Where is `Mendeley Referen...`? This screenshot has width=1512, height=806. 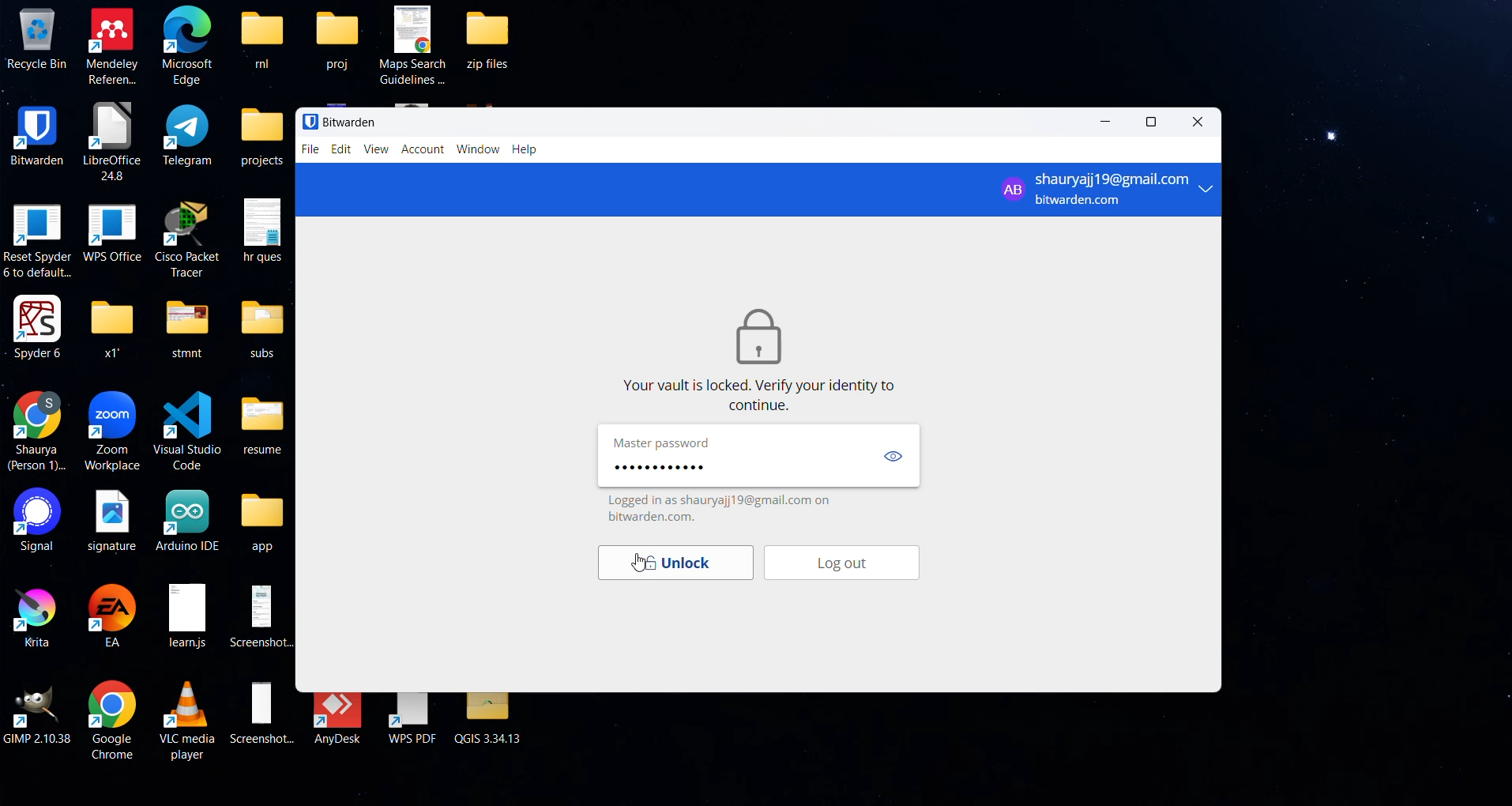 Mendeley Referen... is located at coordinates (113, 45).